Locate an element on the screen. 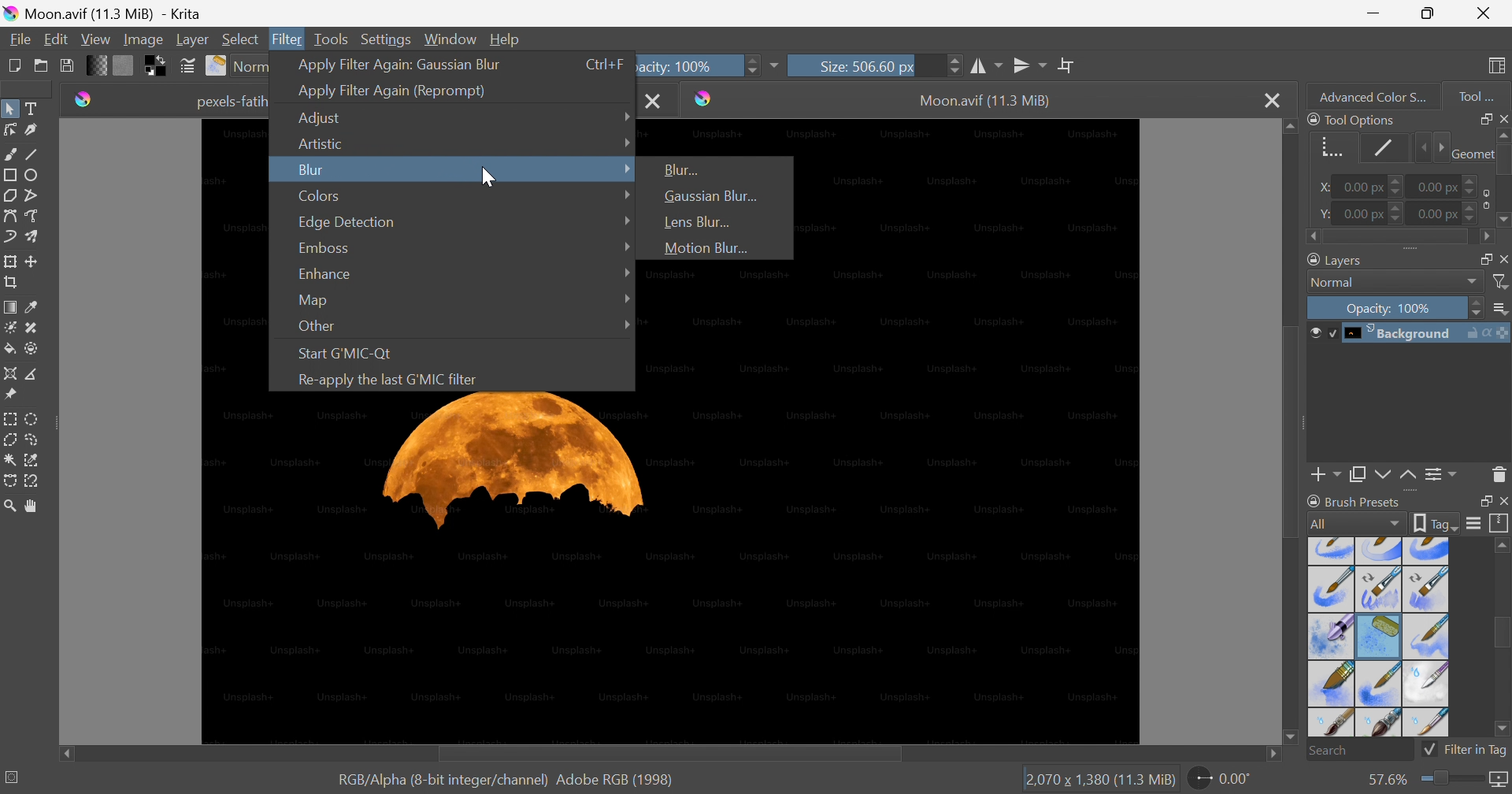 The height and width of the screenshot is (794, 1512). Edit is located at coordinates (57, 39).